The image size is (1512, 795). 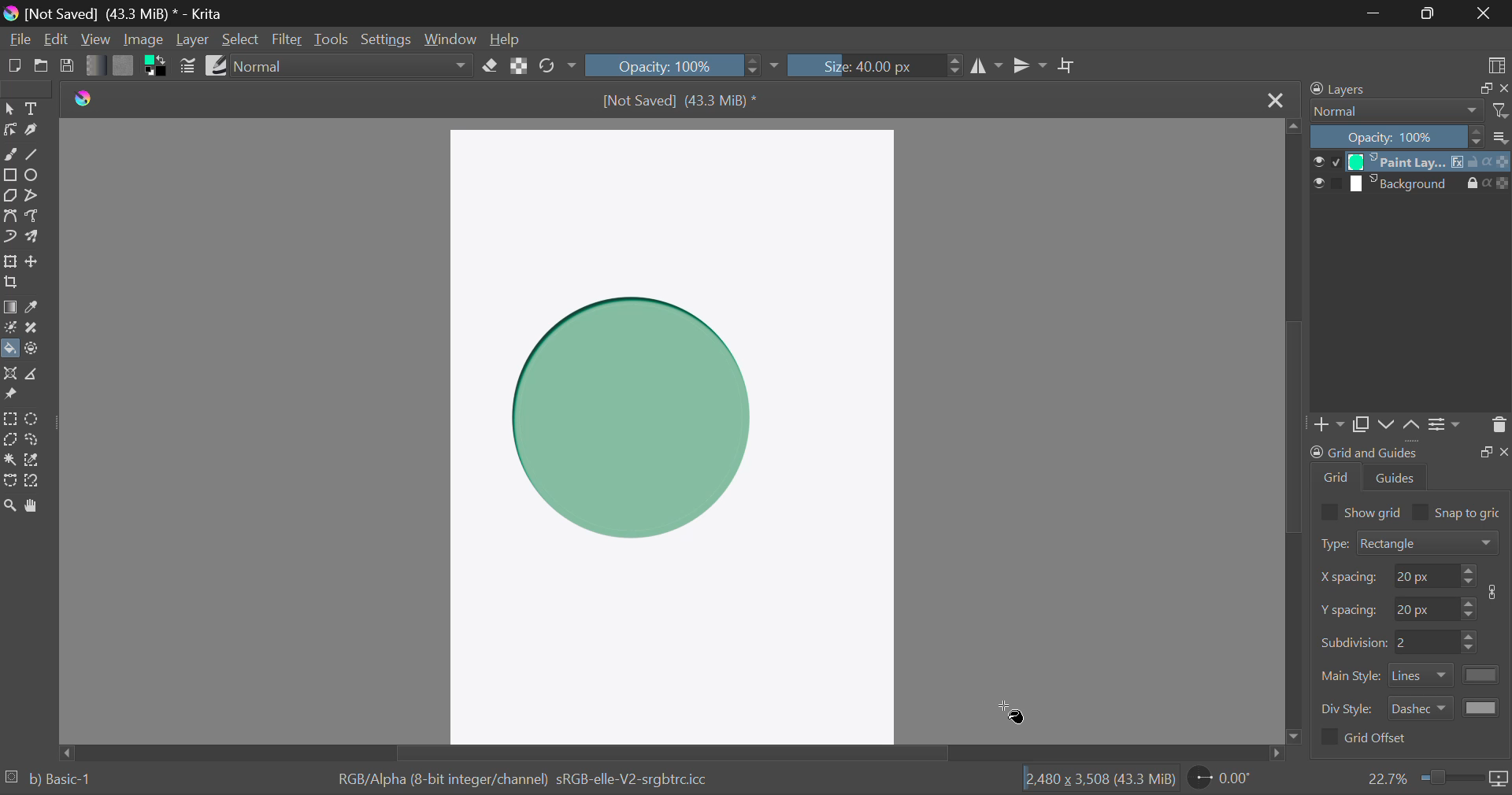 I want to click on Show grid, so click(x=1360, y=511).